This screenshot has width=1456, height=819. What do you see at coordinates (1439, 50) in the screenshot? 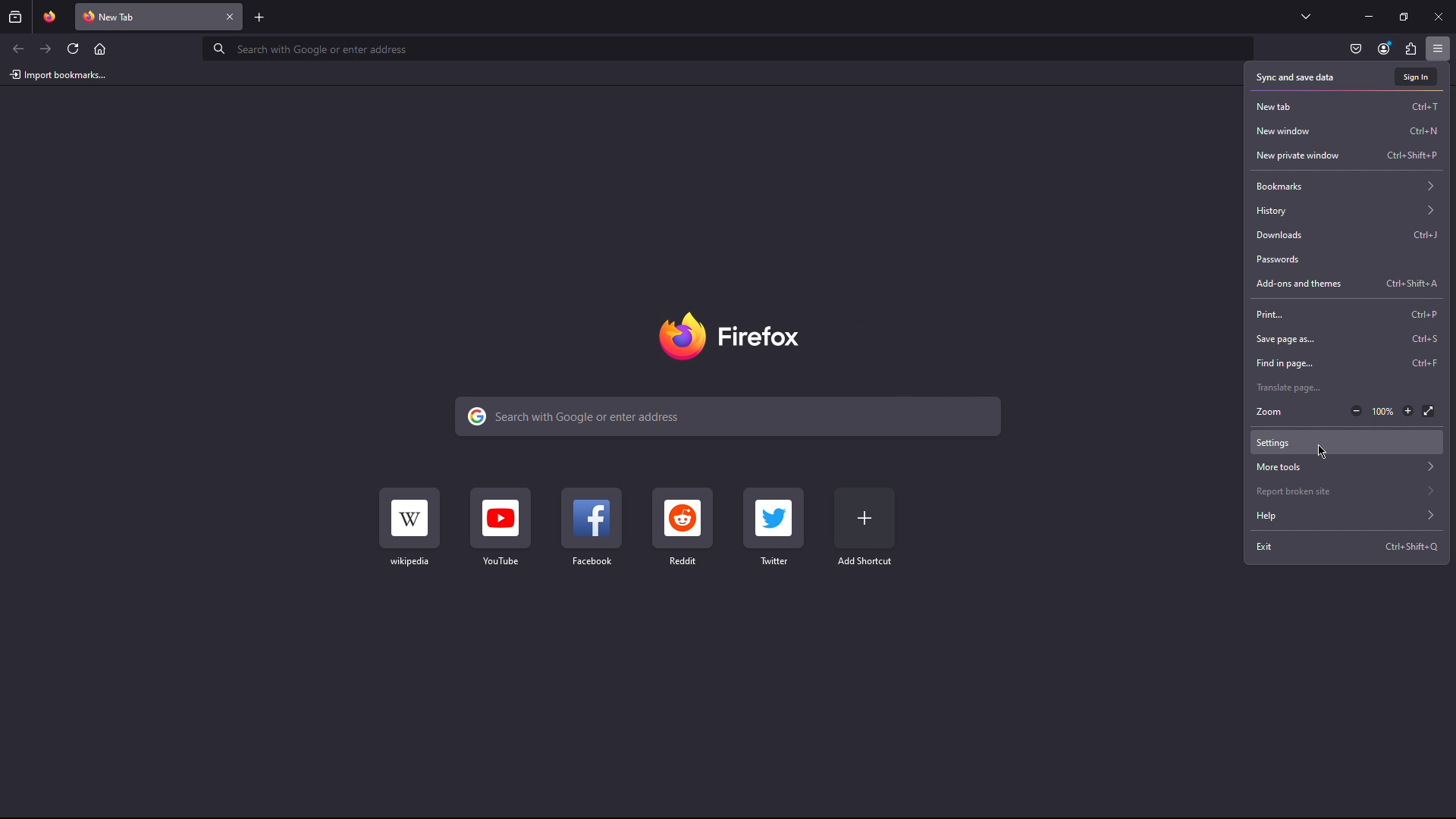
I see `Application Menu` at bounding box center [1439, 50].